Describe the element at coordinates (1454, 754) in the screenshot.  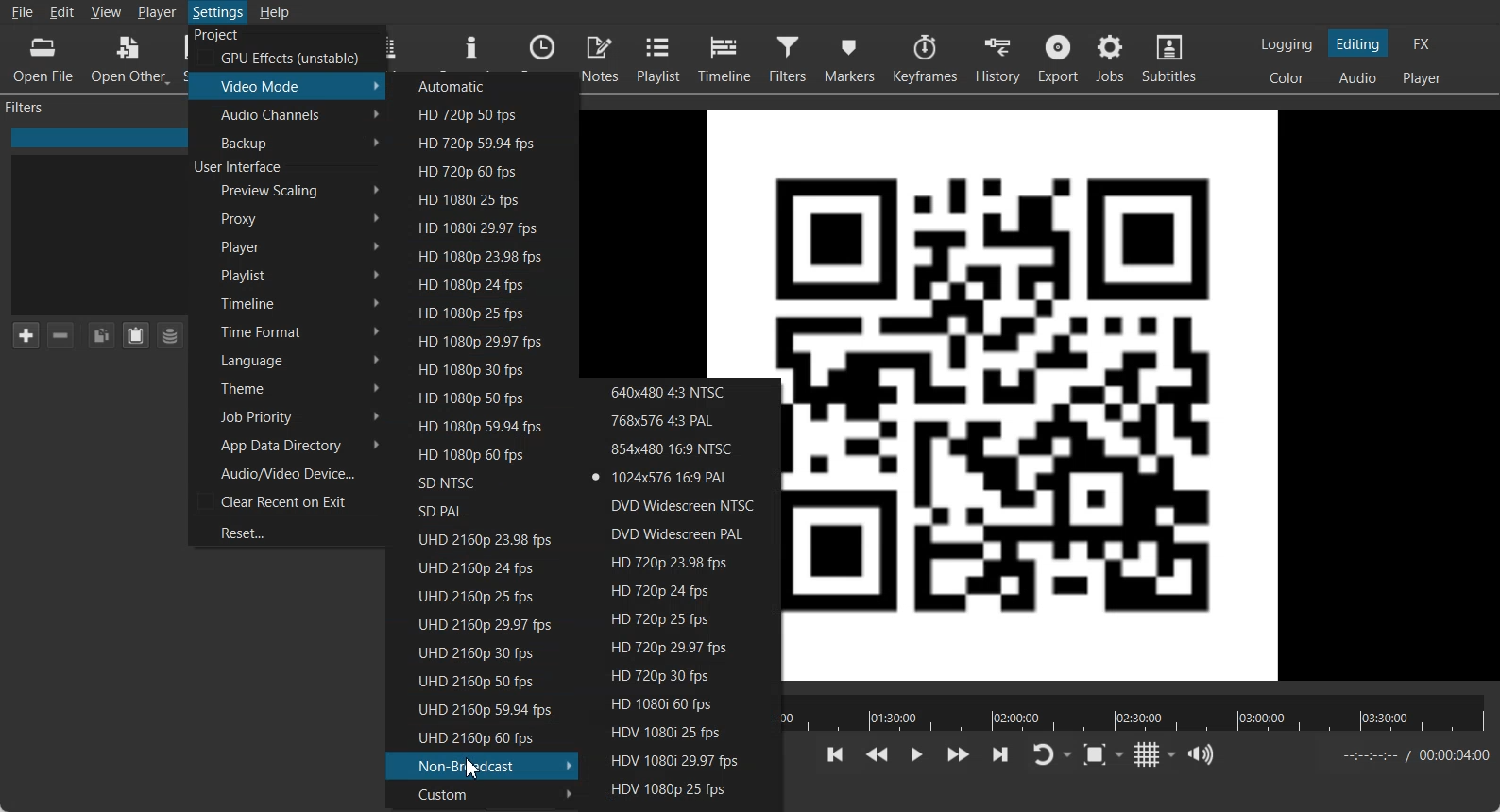
I see `Time added` at that location.